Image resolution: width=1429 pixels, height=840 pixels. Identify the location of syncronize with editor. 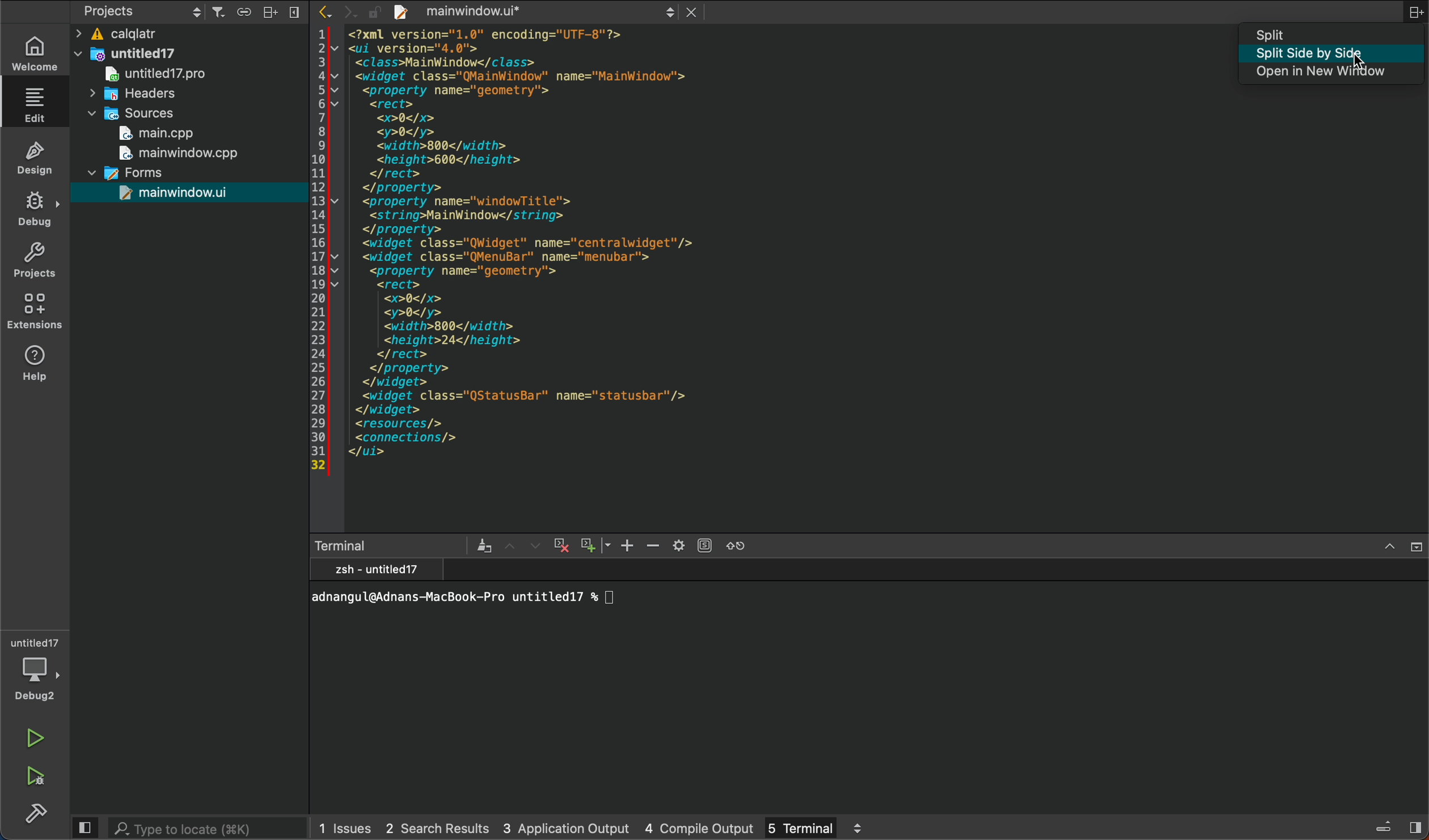
(243, 14).